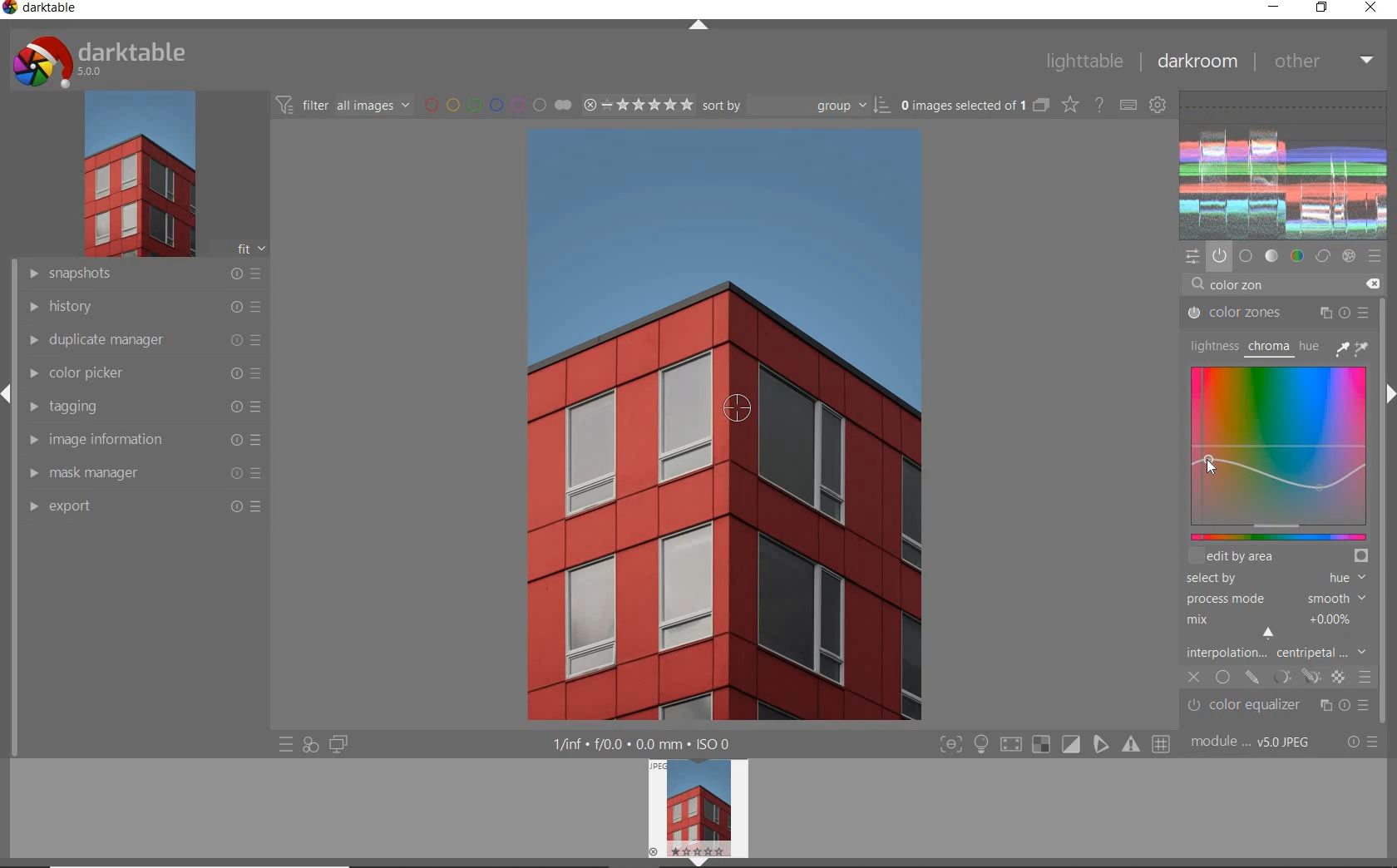 The width and height of the screenshot is (1397, 868). I want to click on soft proofing, so click(1072, 744).